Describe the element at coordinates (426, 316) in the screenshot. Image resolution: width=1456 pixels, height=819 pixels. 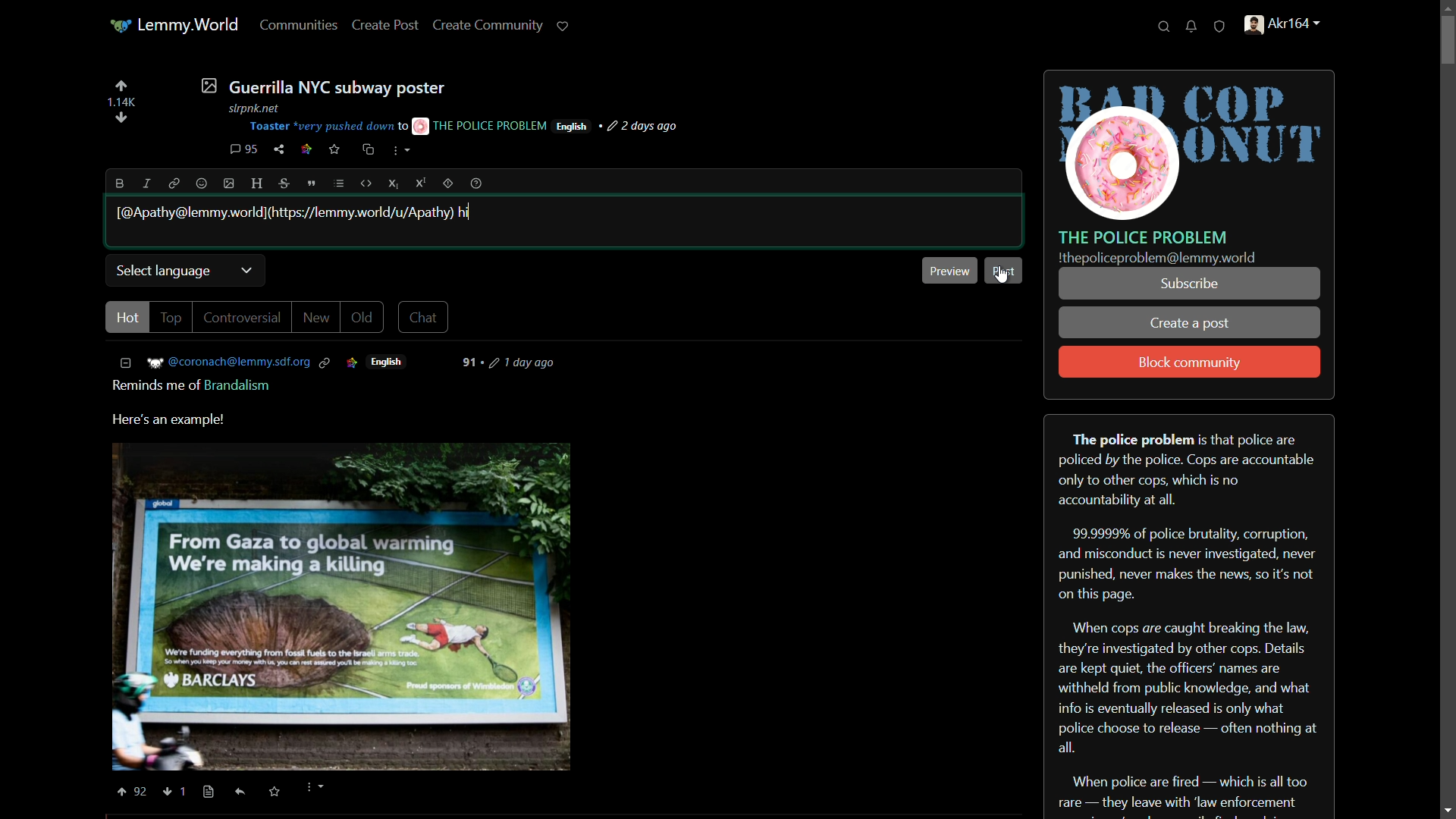
I see `chat` at that location.